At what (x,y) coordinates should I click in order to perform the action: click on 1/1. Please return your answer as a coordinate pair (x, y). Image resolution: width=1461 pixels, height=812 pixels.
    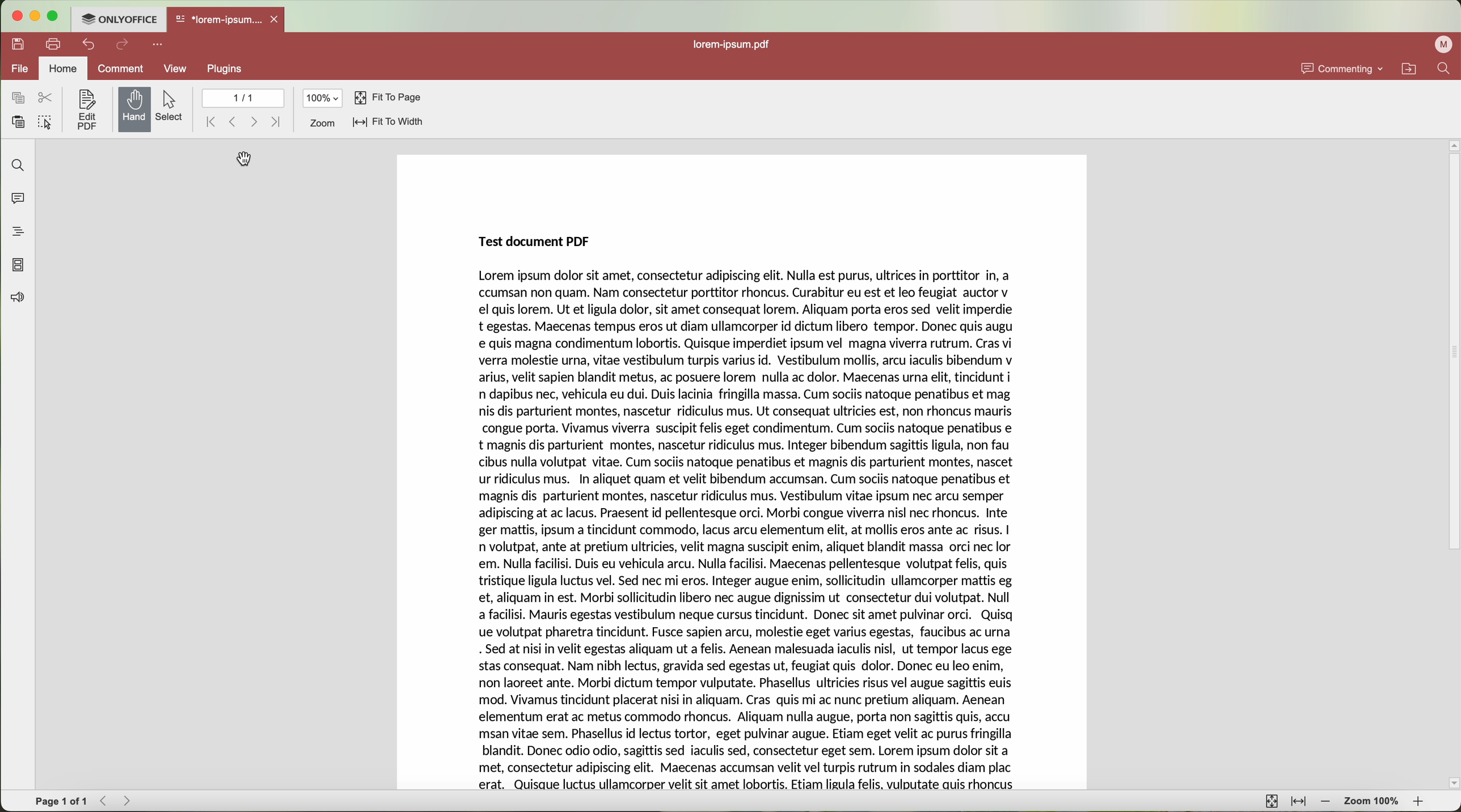
    Looking at the image, I should click on (242, 98).